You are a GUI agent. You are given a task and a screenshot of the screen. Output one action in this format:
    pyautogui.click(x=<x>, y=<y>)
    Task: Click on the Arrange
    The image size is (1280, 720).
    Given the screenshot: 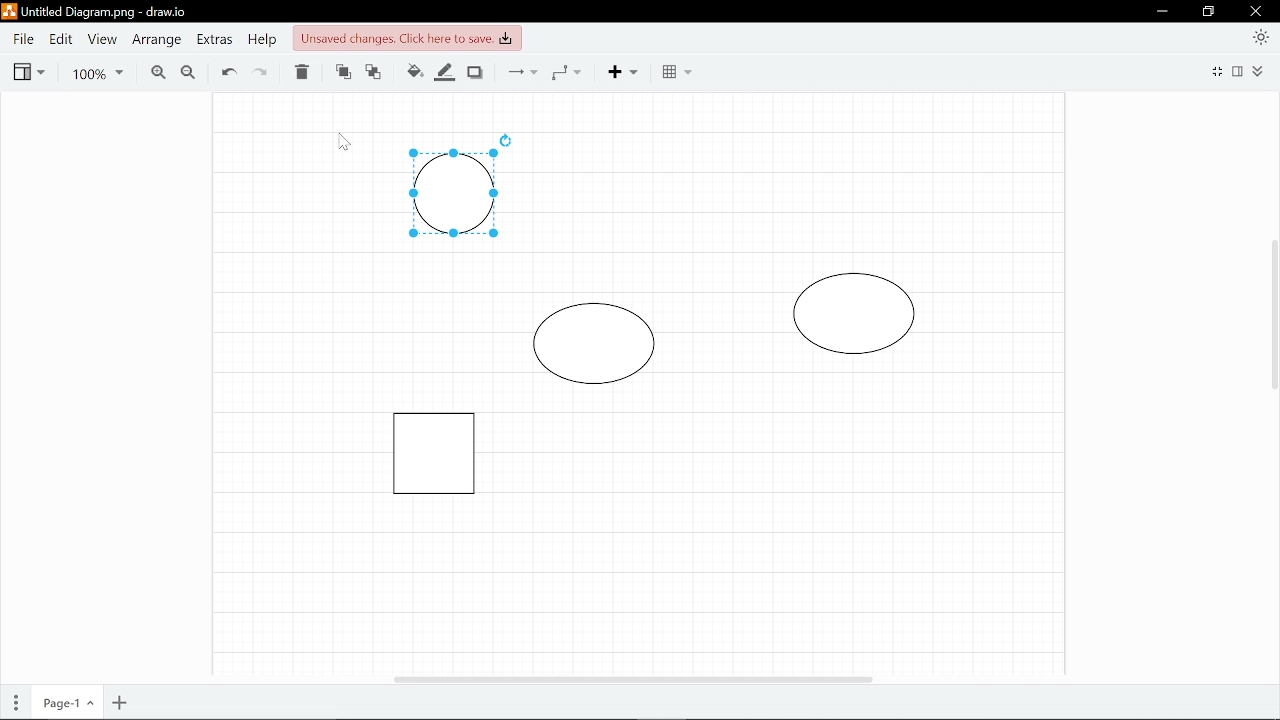 What is the action you would take?
    pyautogui.click(x=155, y=40)
    